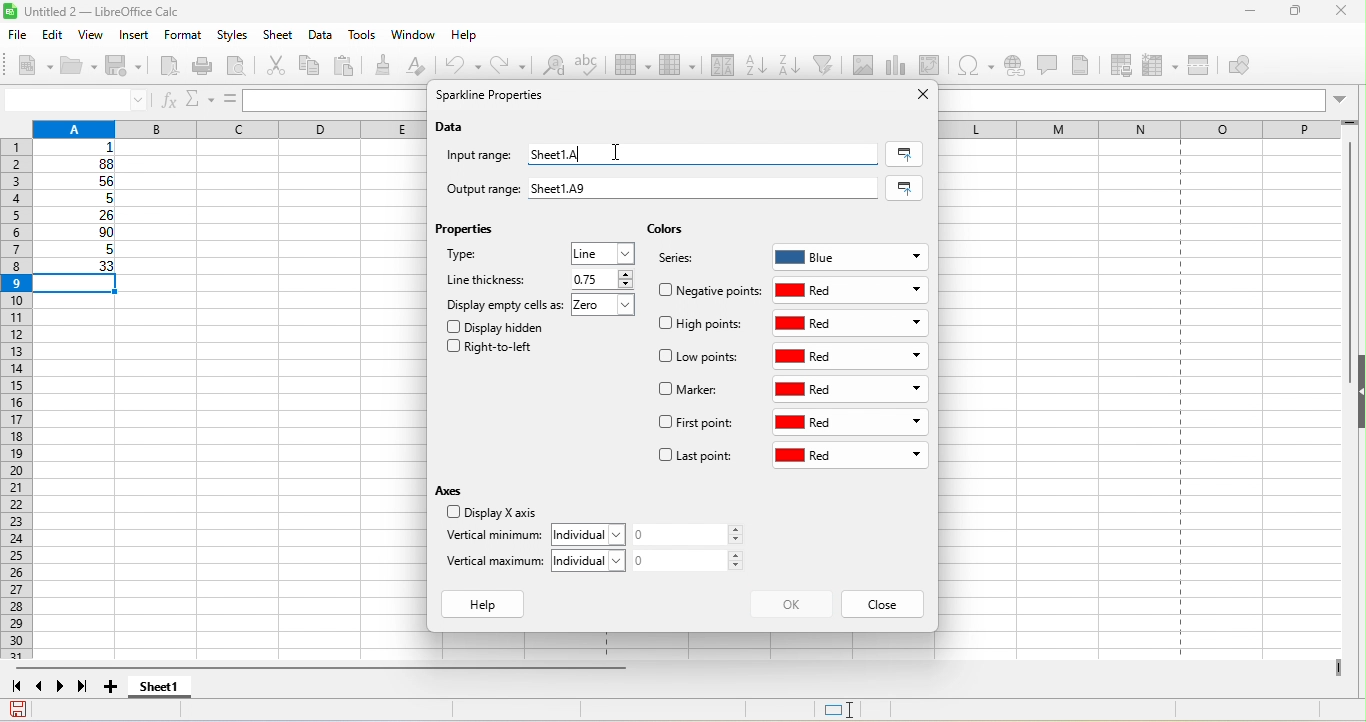 The image size is (1366, 722). What do you see at coordinates (1088, 65) in the screenshot?
I see `headers and footers` at bounding box center [1088, 65].